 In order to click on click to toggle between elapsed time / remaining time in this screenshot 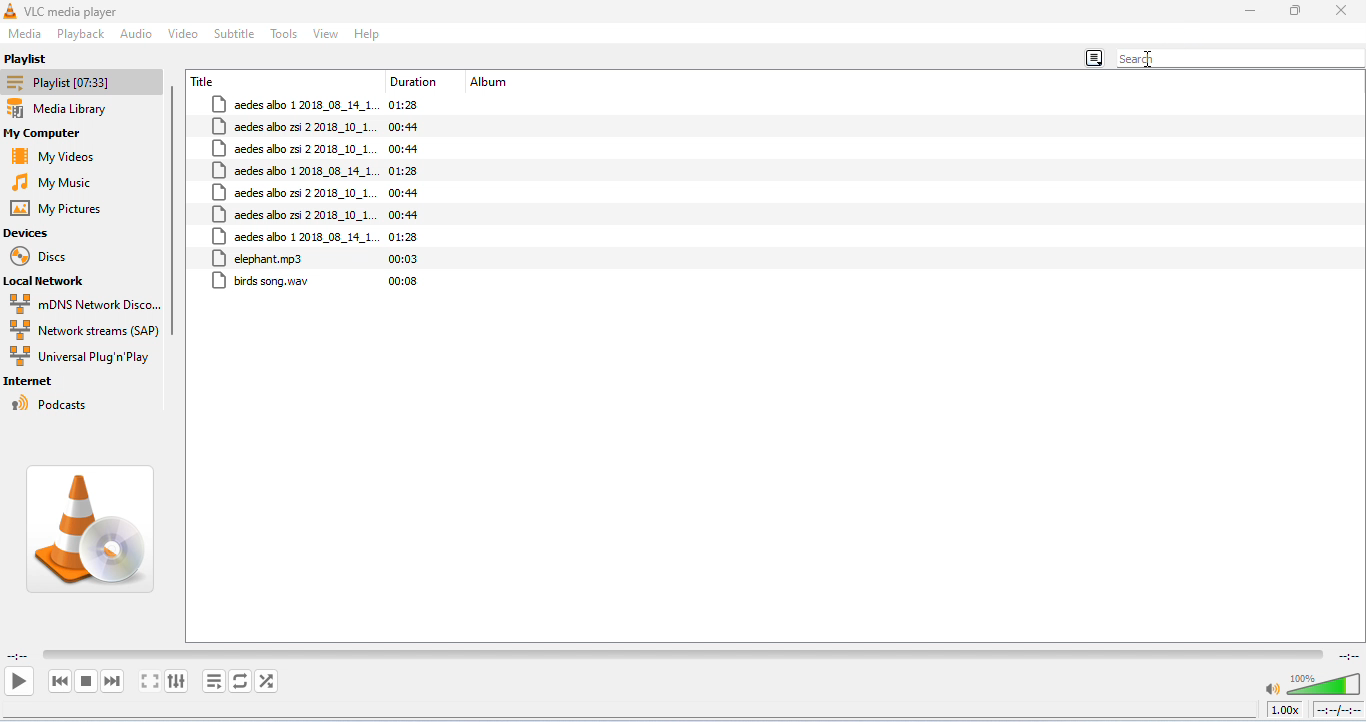, I will do `click(1337, 710)`.